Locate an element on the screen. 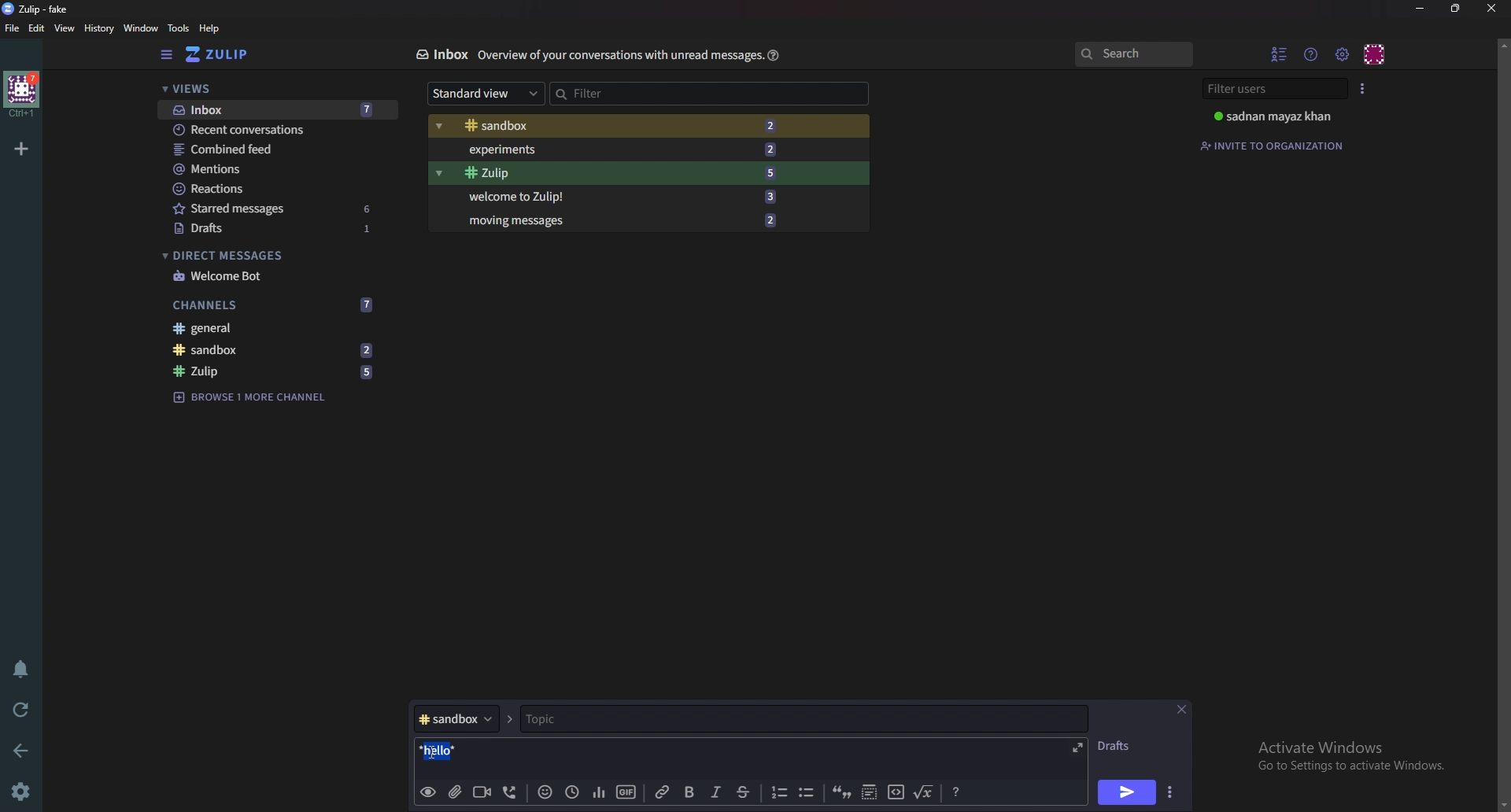  drafts 1 is located at coordinates (279, 229).